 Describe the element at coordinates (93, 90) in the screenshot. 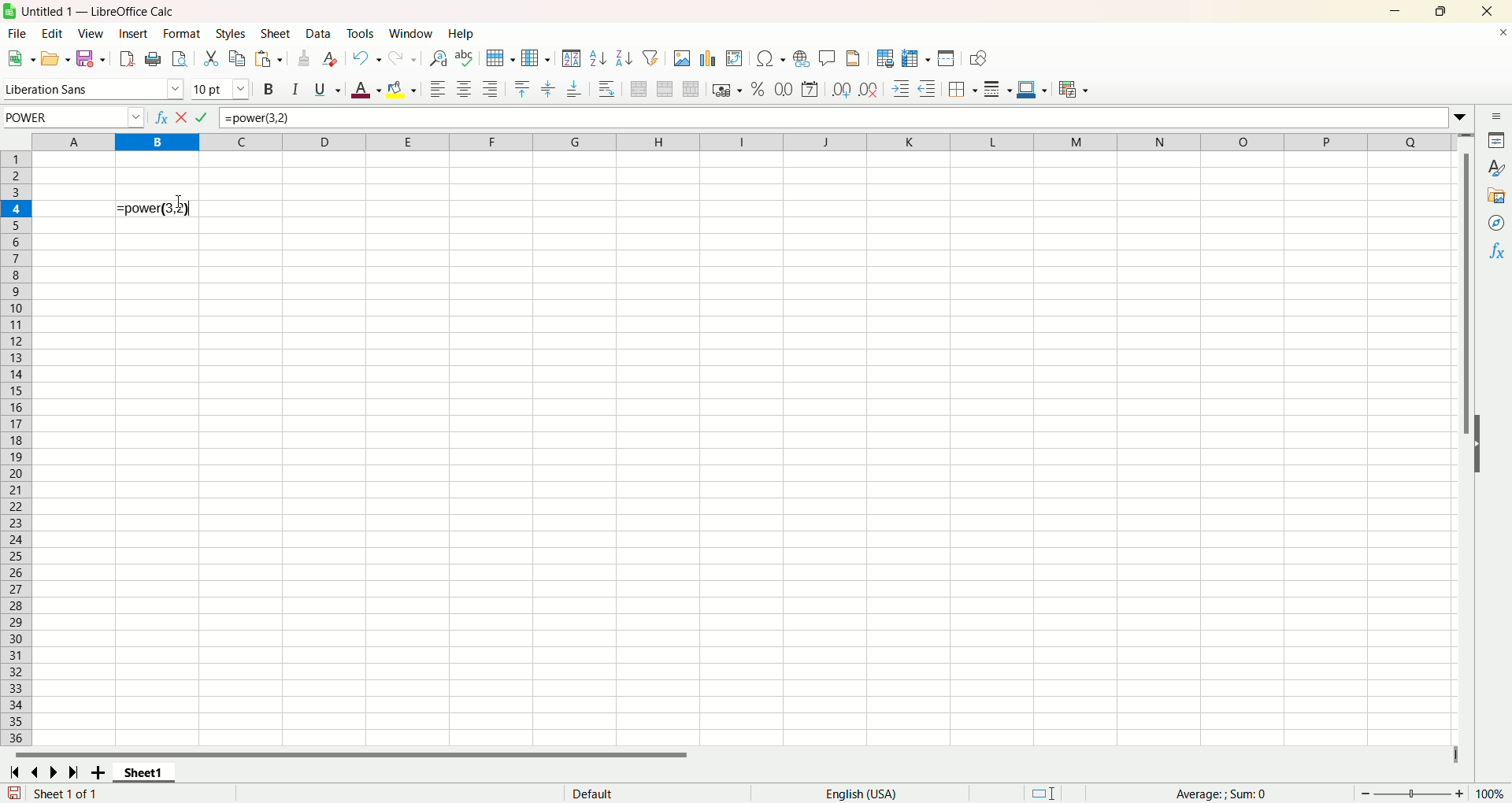

I see `font name` at that location.